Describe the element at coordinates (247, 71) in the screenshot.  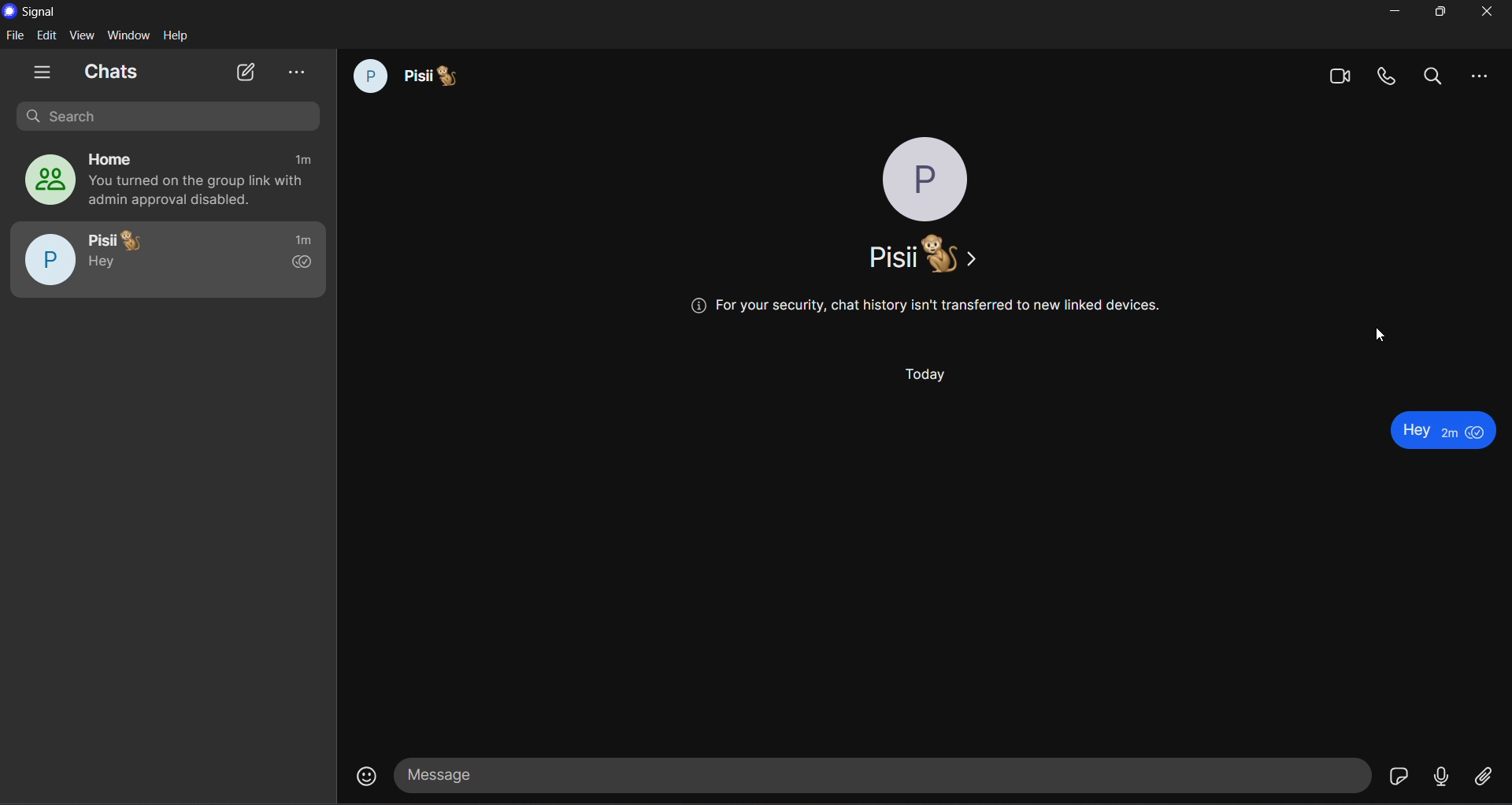
I see `new chat` at that location.